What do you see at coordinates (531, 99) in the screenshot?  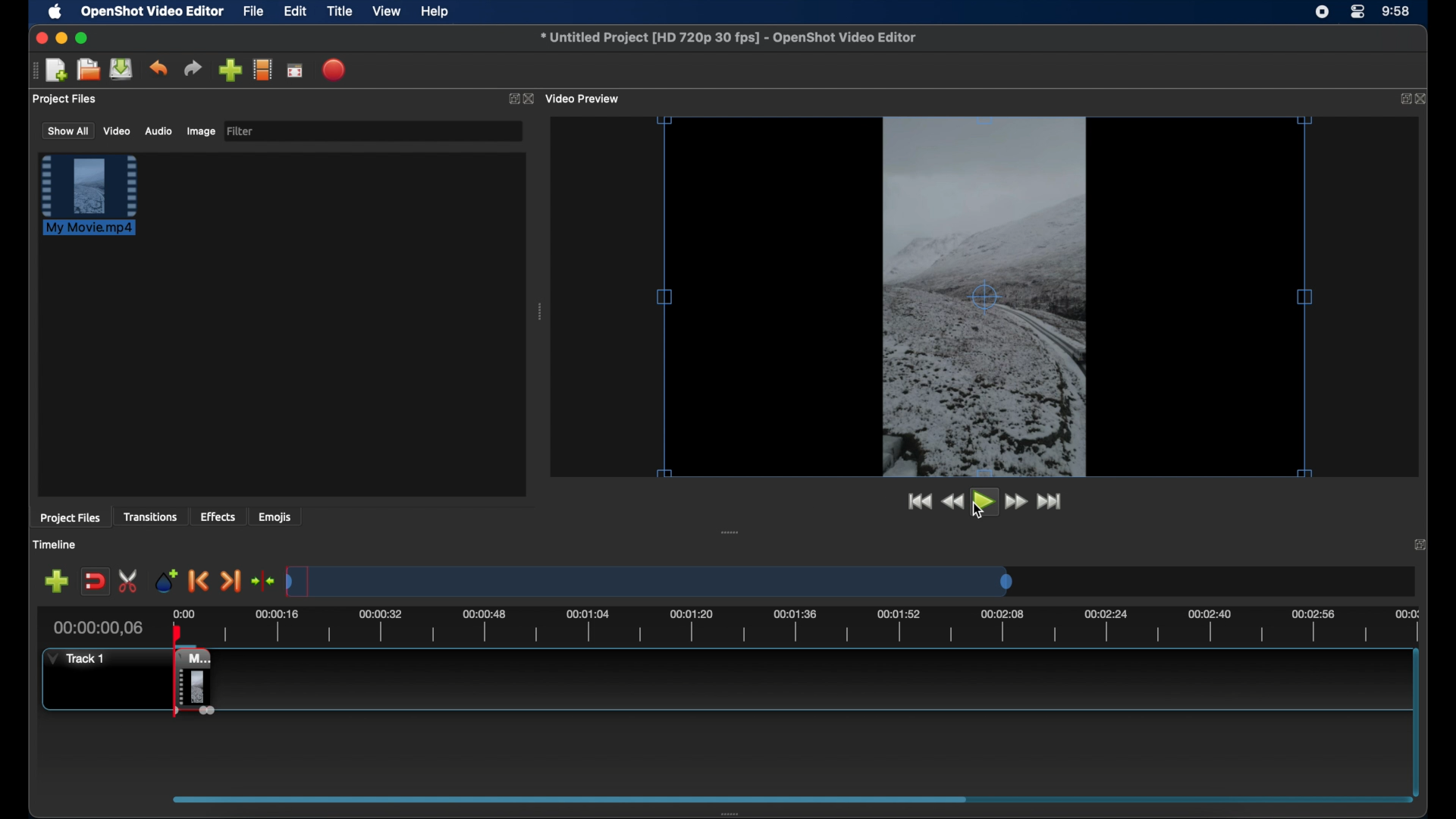 I see `close` at bounding box center [531, 99].